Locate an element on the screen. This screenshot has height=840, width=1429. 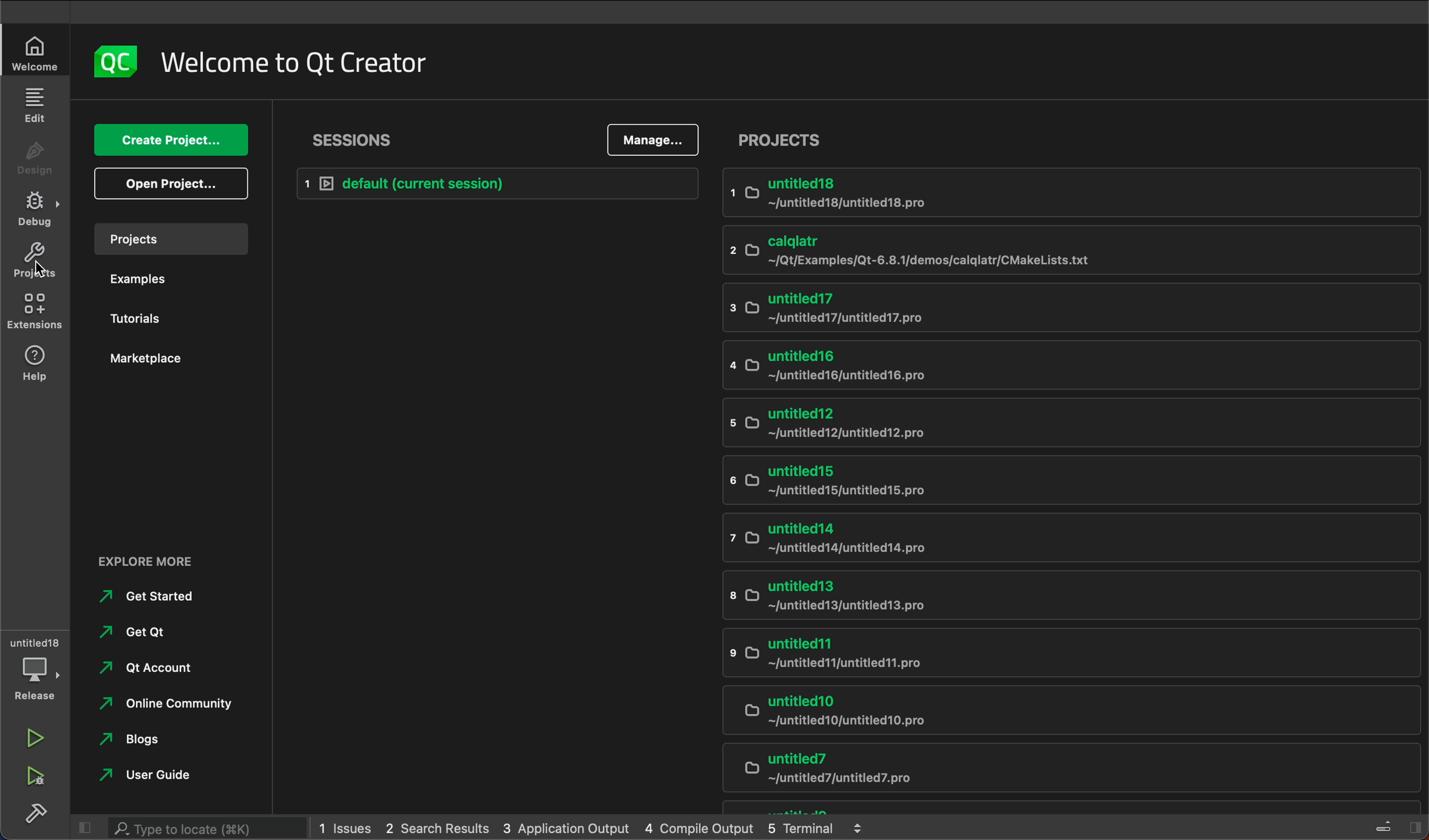
create project is located at coordinates (173, 141).